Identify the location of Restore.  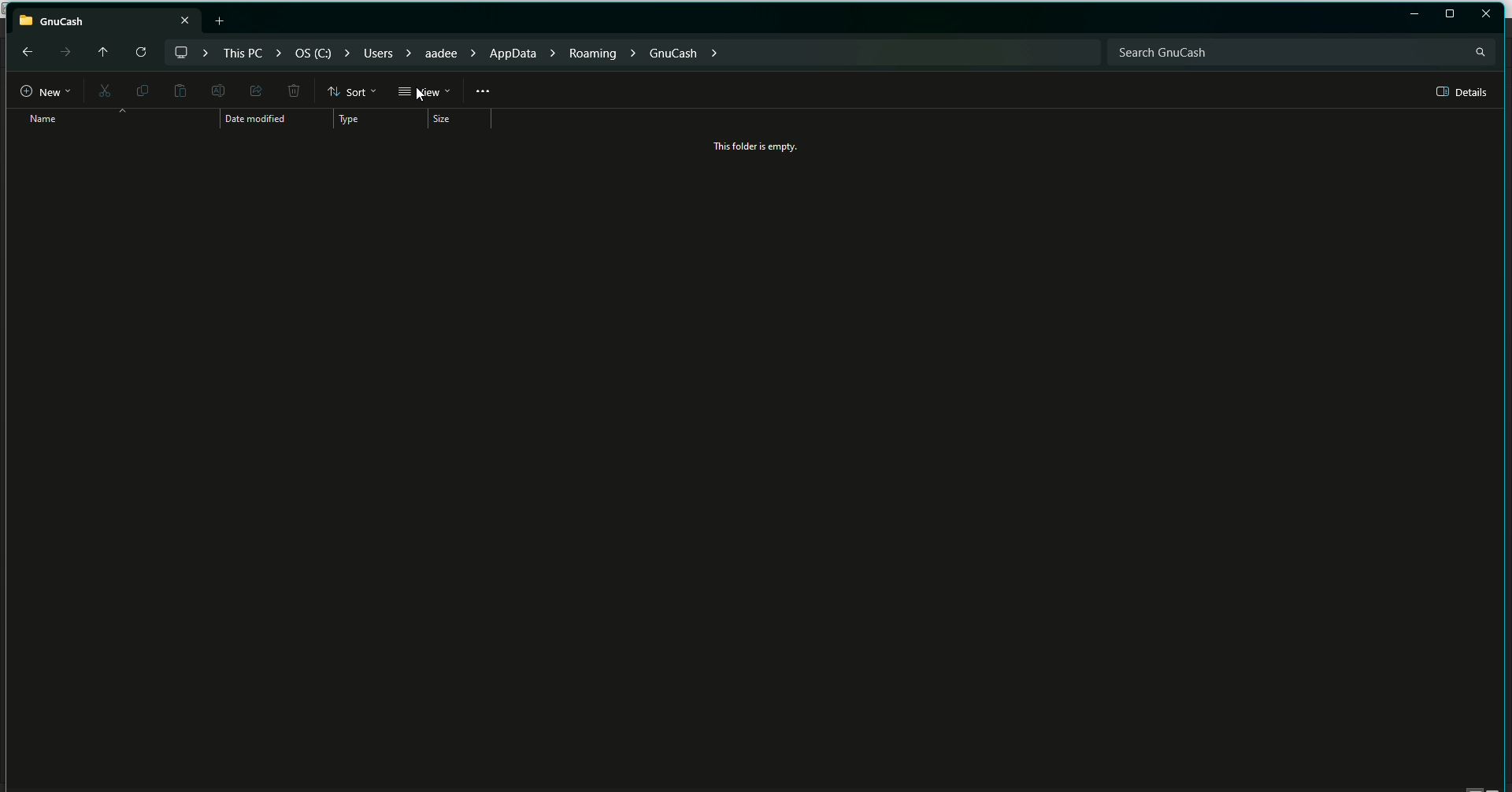
(1450, 14).